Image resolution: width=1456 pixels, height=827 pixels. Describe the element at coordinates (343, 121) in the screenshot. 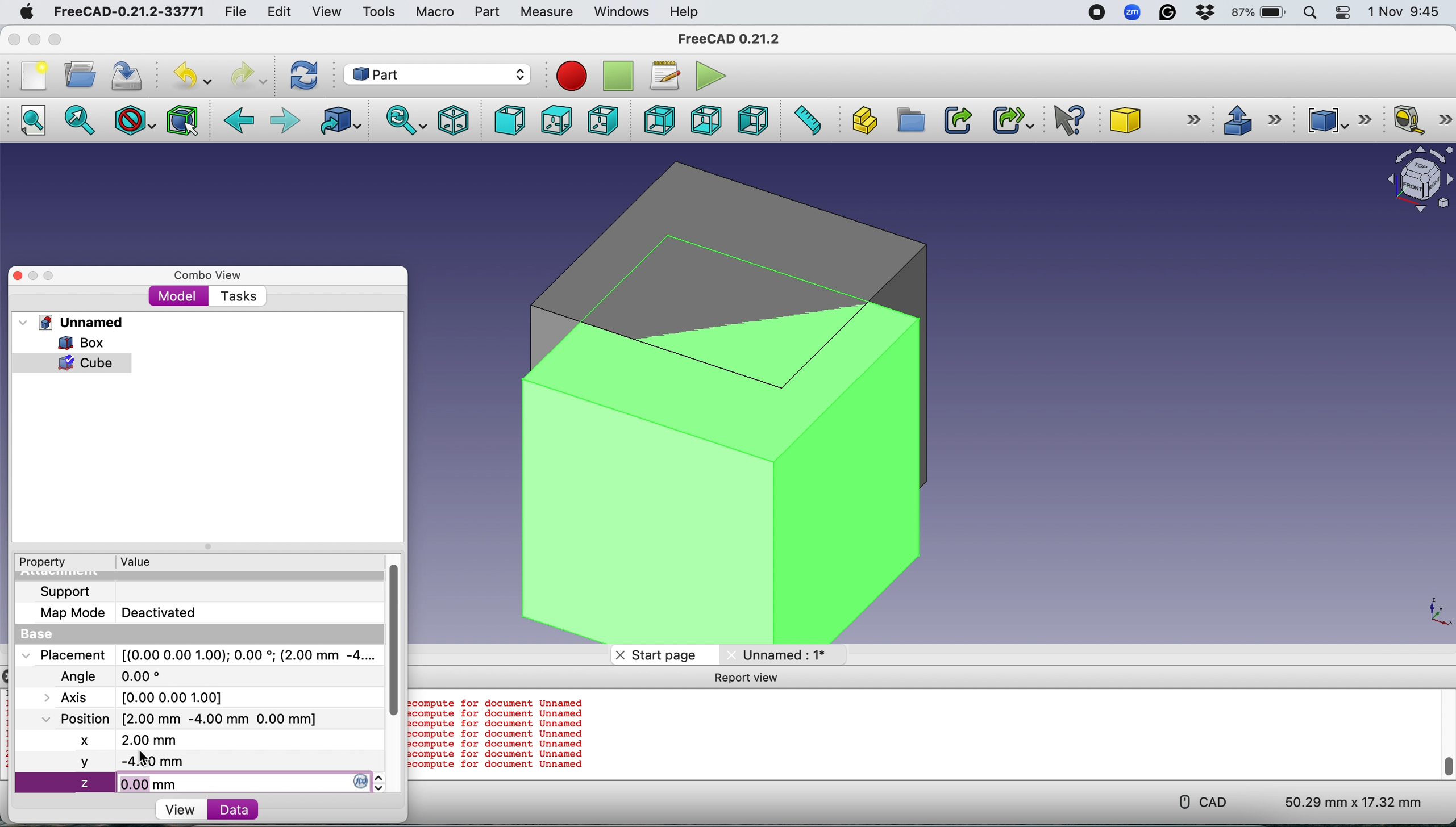

I see `Go to linked object` at that location.